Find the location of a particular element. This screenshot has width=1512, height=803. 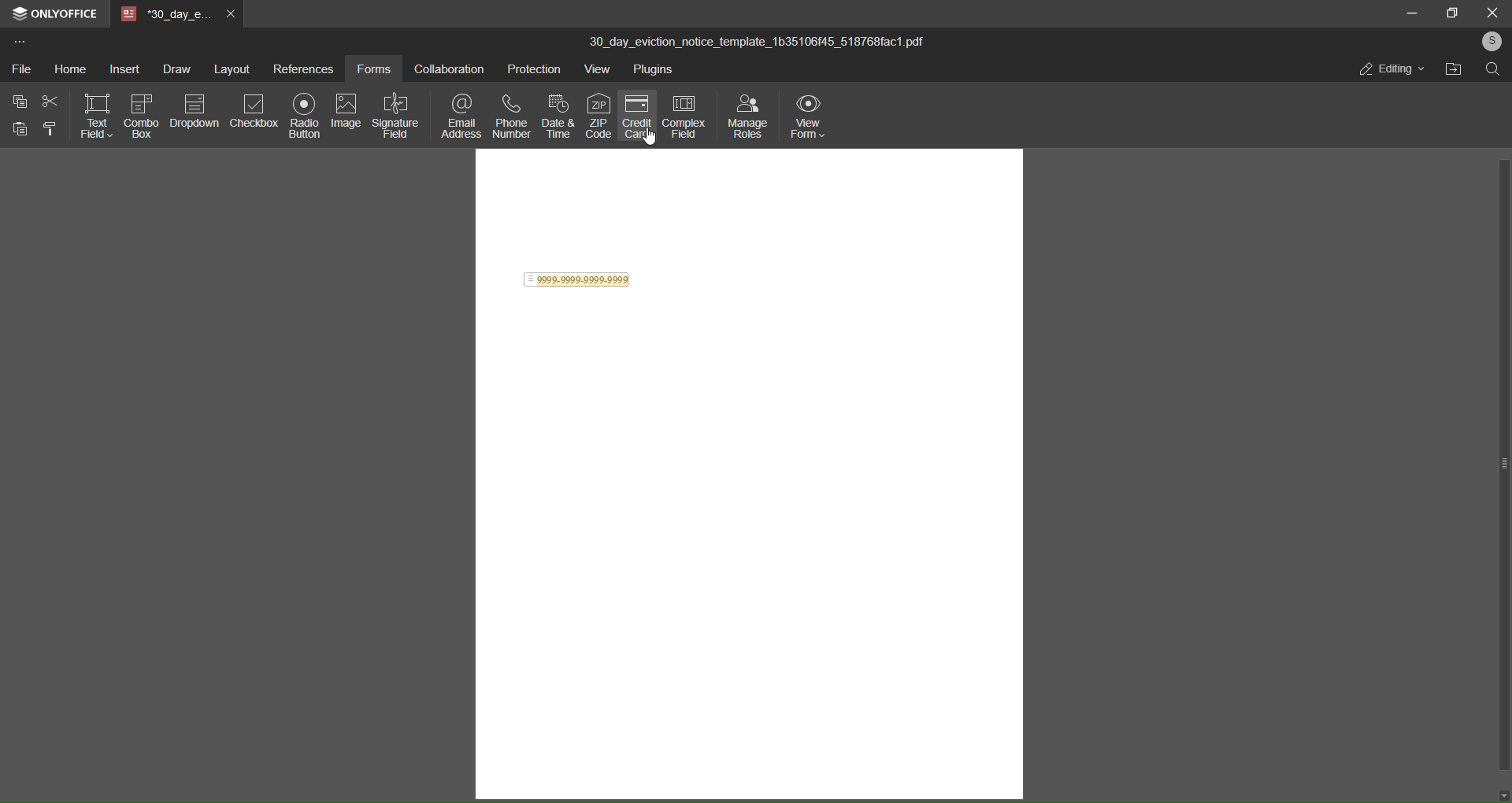

view is located at coordinates (597, 69).